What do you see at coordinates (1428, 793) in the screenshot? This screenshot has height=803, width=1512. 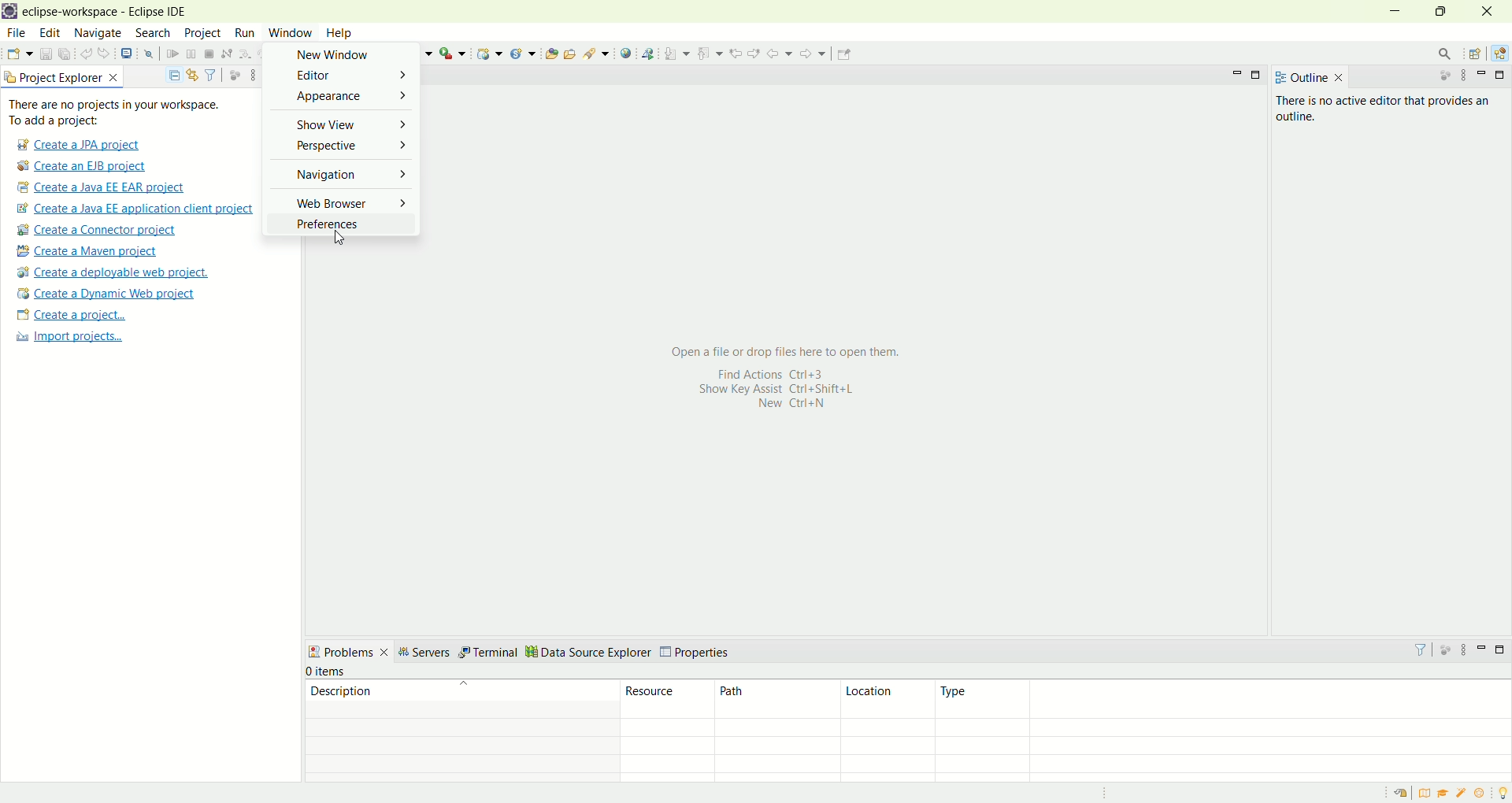 I see `overview` at bounding box center [1428, 793].